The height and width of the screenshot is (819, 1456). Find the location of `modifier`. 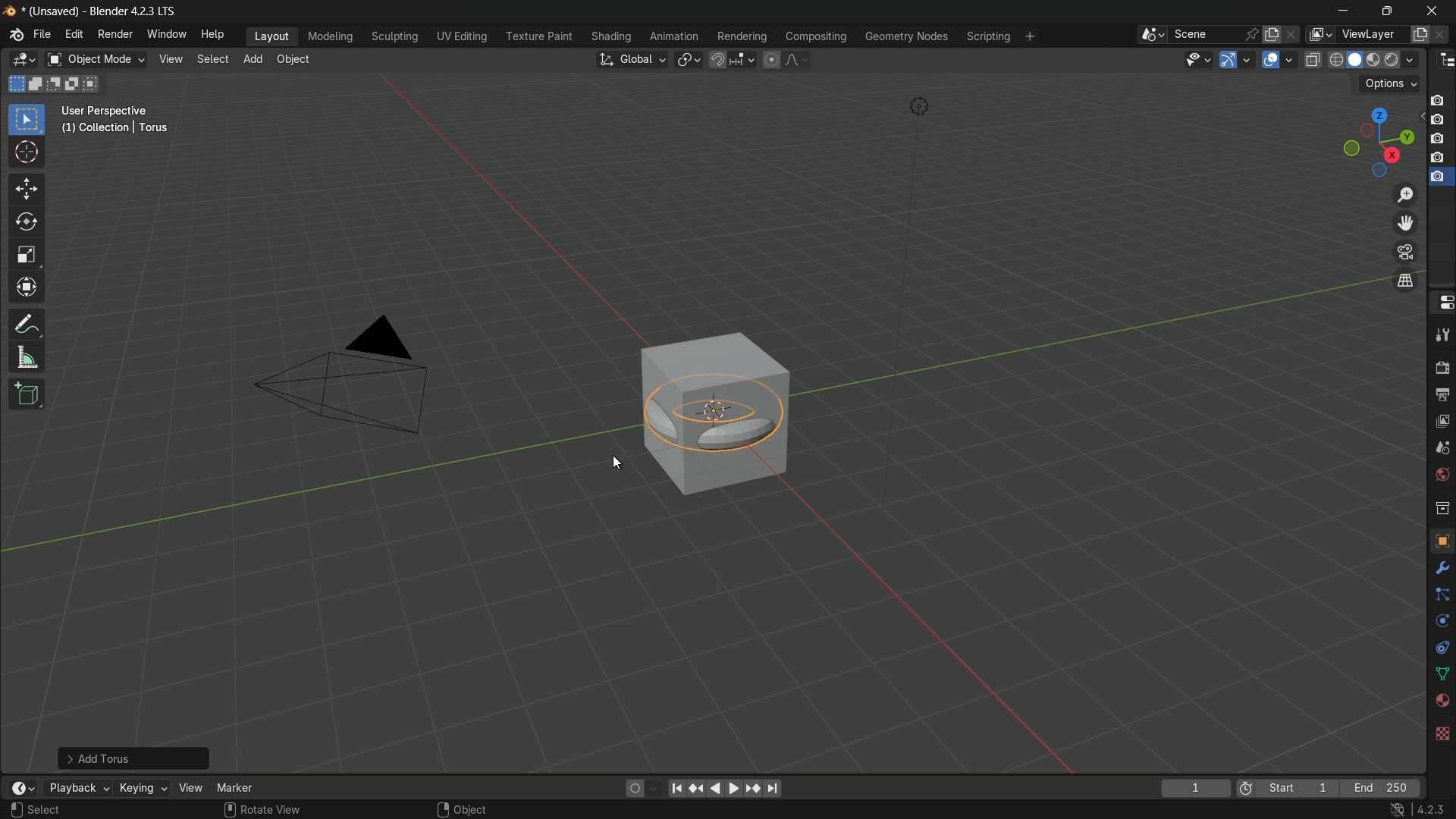

modifier is located at coordinates (1439, 568).